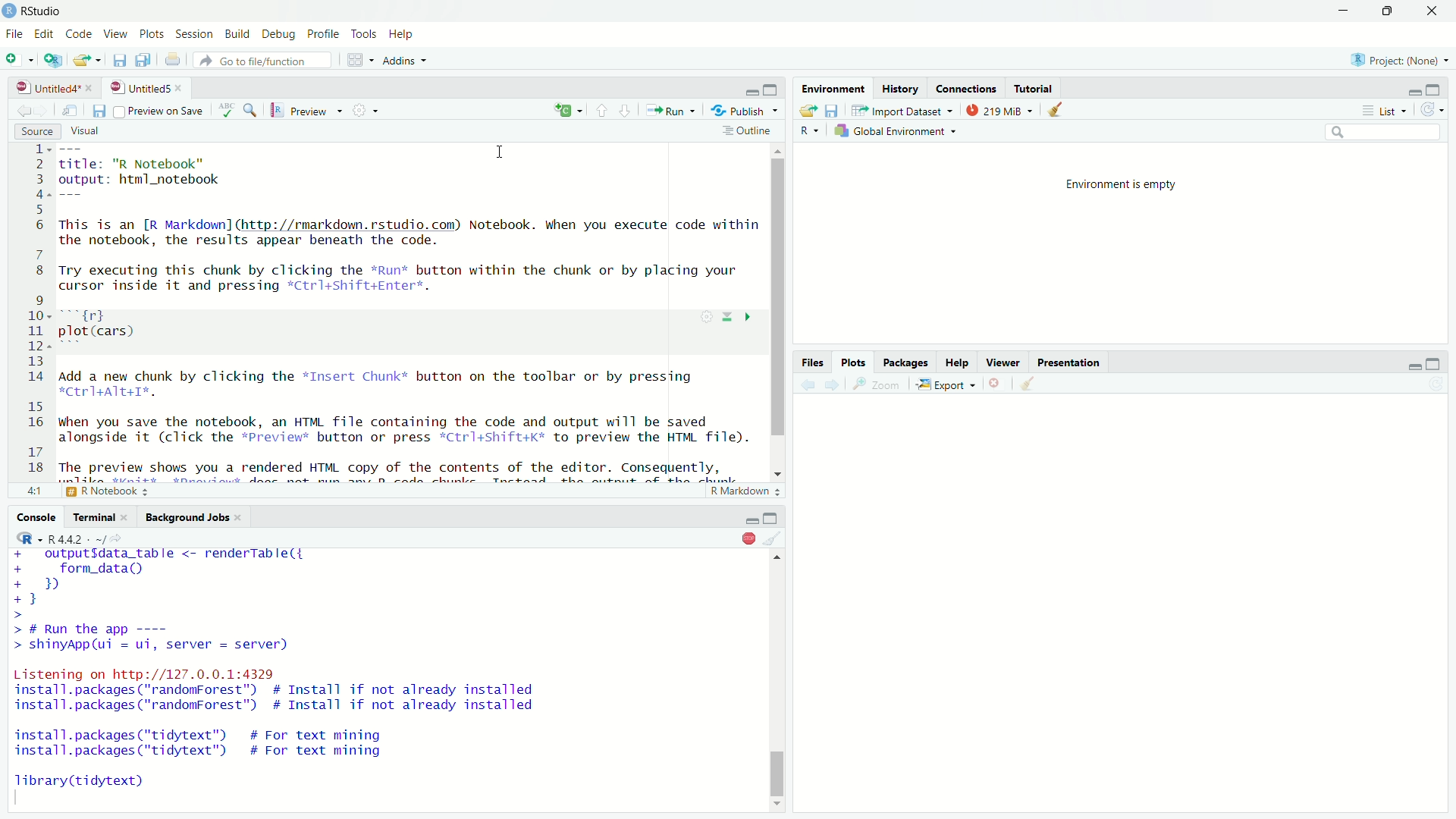  What do you see at coordinates (39, 518) in the screenshot?
I see `Console` at bounding box center [39, 518].